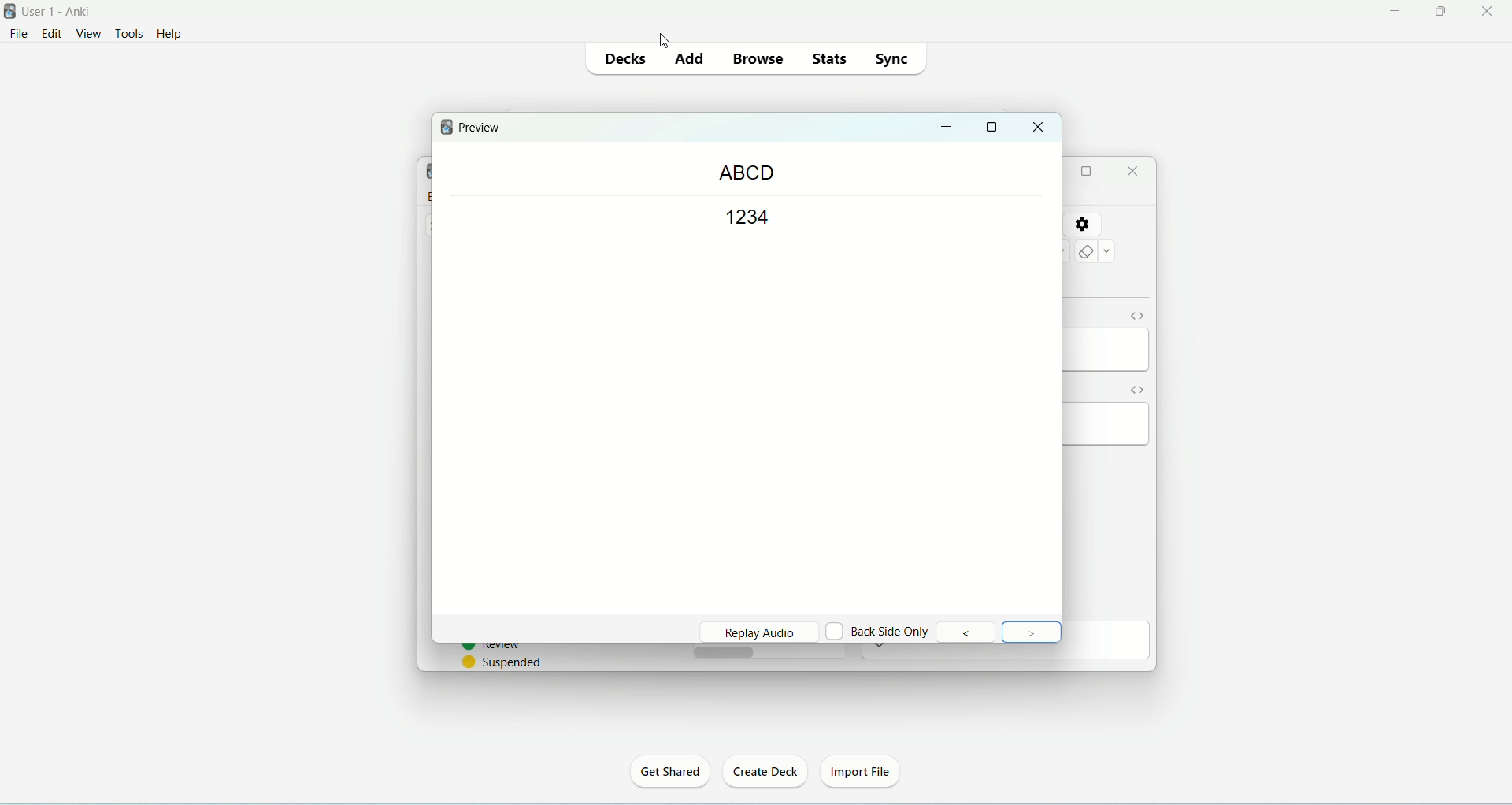 This screenshot has width=1512, height=805. Describe the element at coordinates (1136, 389) in the screenshot. I see `toggle HTML editor` at that location.